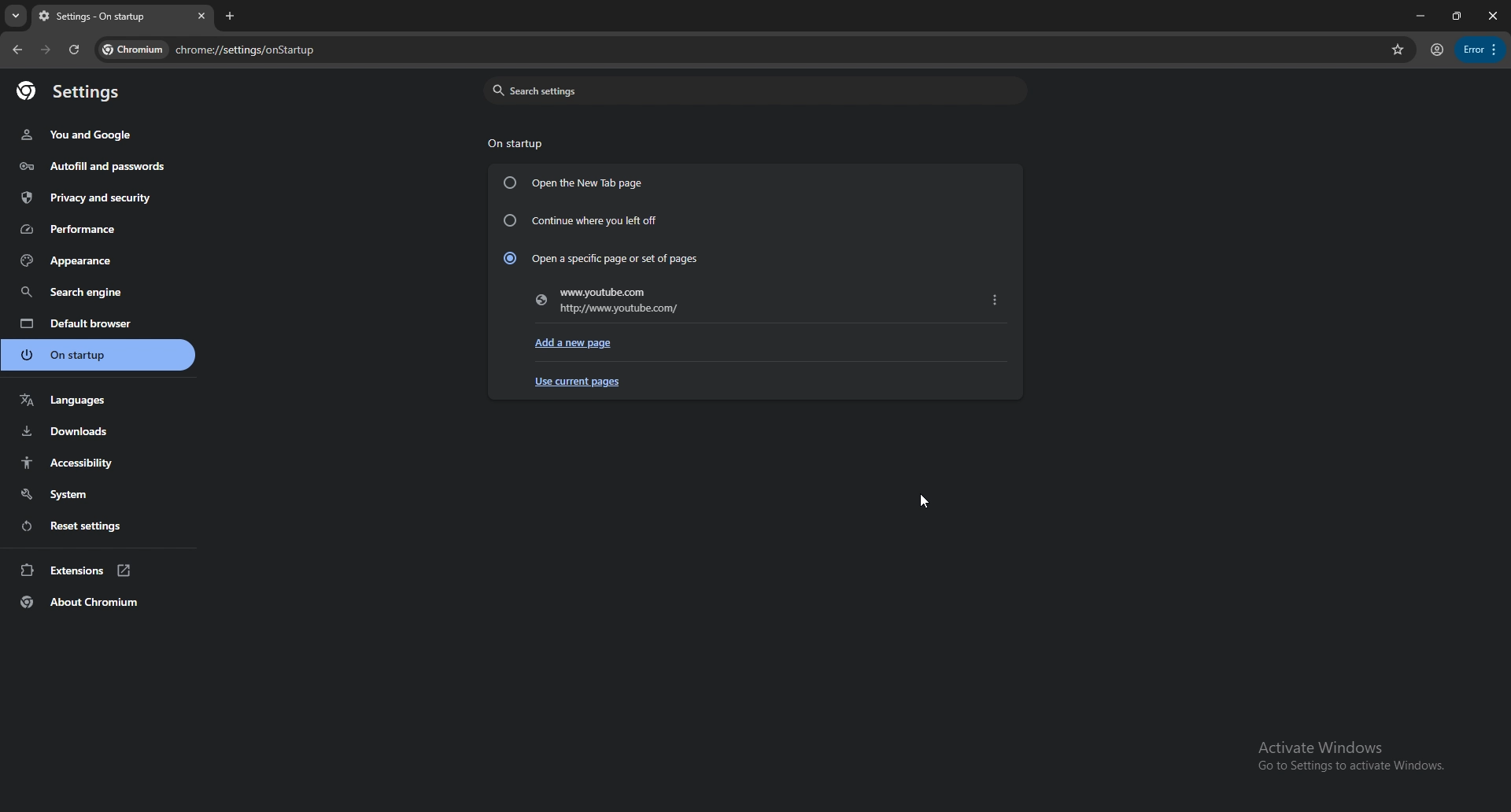 Image resolution: width=1511 pixels, height=812 pixels. What do you see at coordinates (98, 525) in the screenshot?
I see `reset settings` at bounding box center [98, 525].